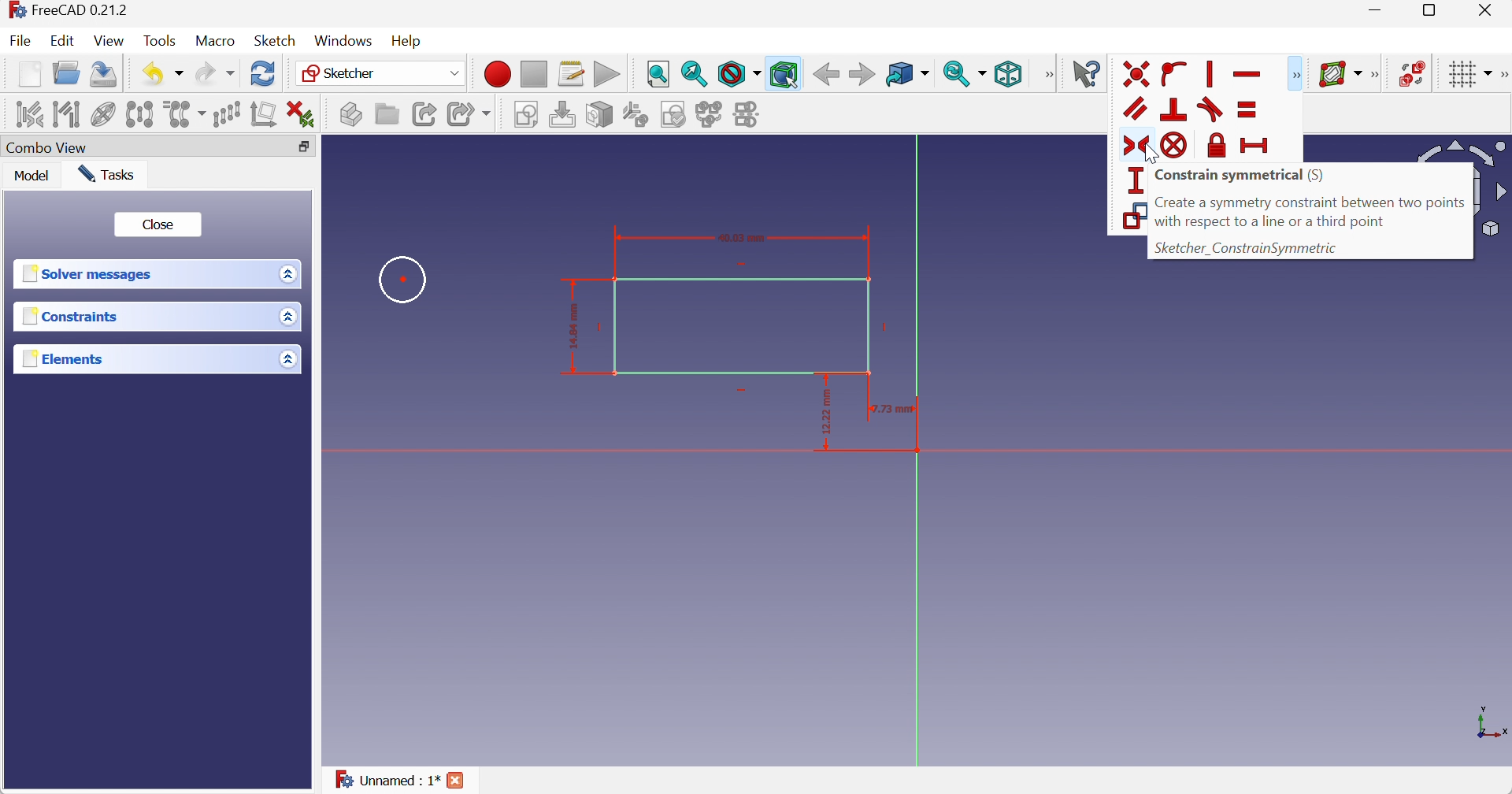 Image resolution: width=1512 pixels, height=794 pixels. I want to click on Sketcher, so click(384, 74).